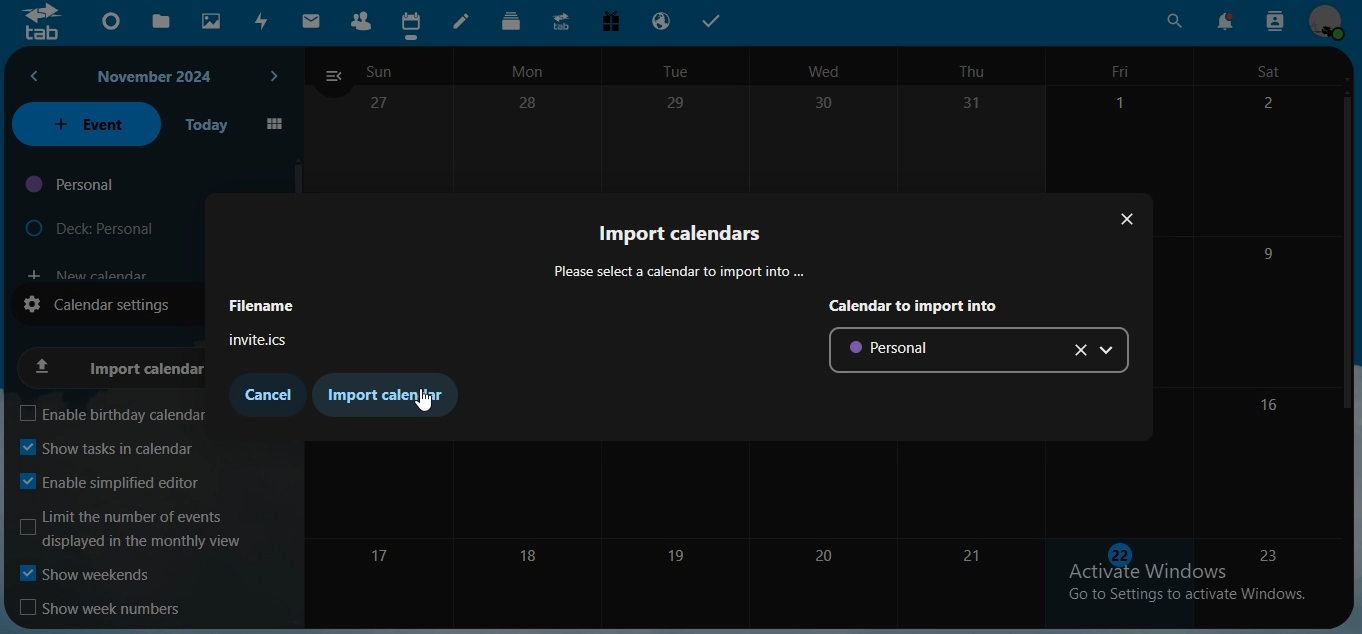  Describe the element at coordinates (134, 529) in the screenshot. I see `limit the number of events displayed in the monthly view` at that location.